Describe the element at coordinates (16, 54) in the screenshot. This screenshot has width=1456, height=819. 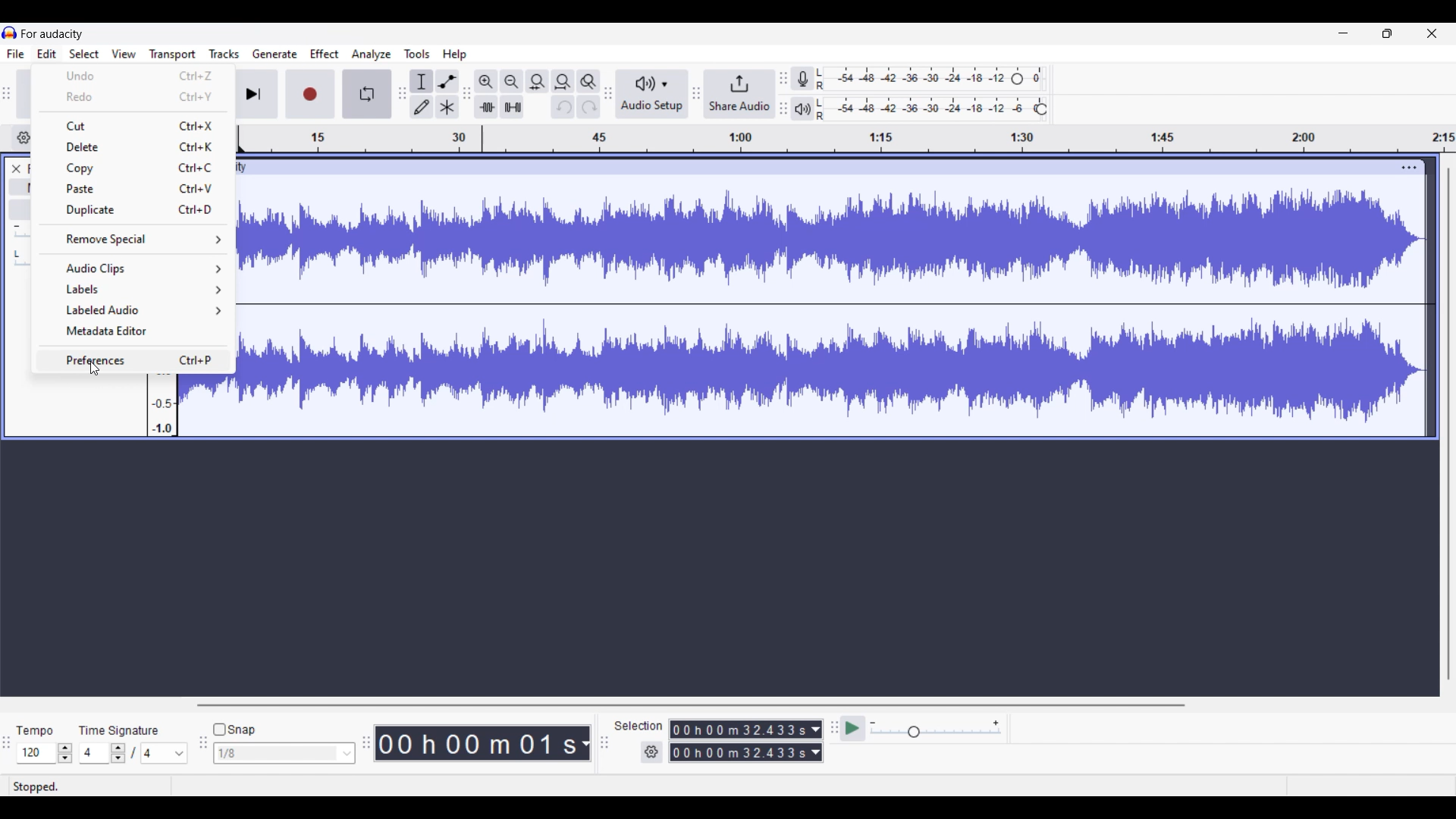
I see `File menu` at that location.